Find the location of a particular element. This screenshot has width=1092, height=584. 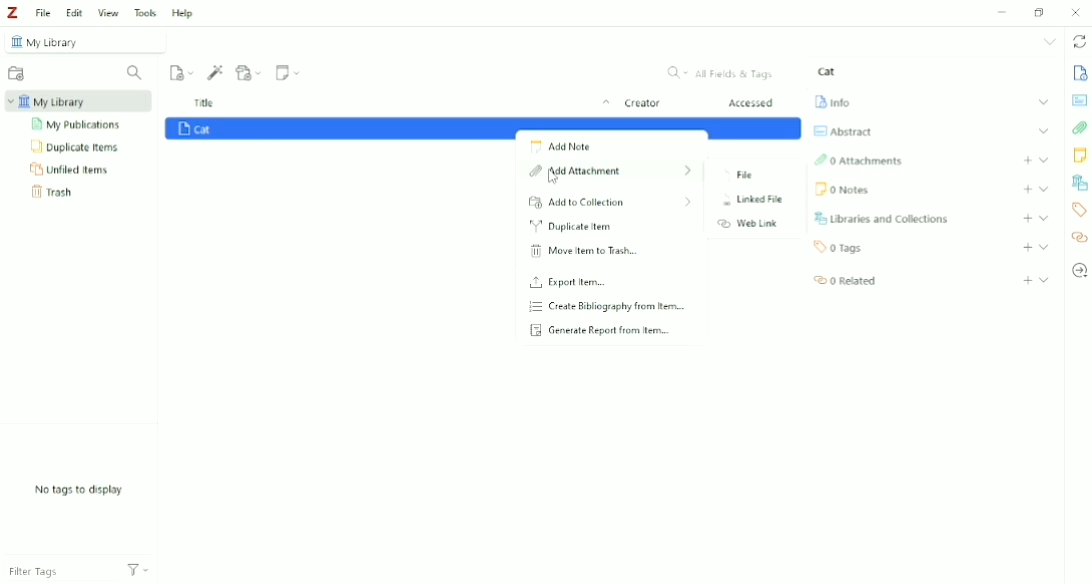

Expand section is located at coordinates (1044, 159).